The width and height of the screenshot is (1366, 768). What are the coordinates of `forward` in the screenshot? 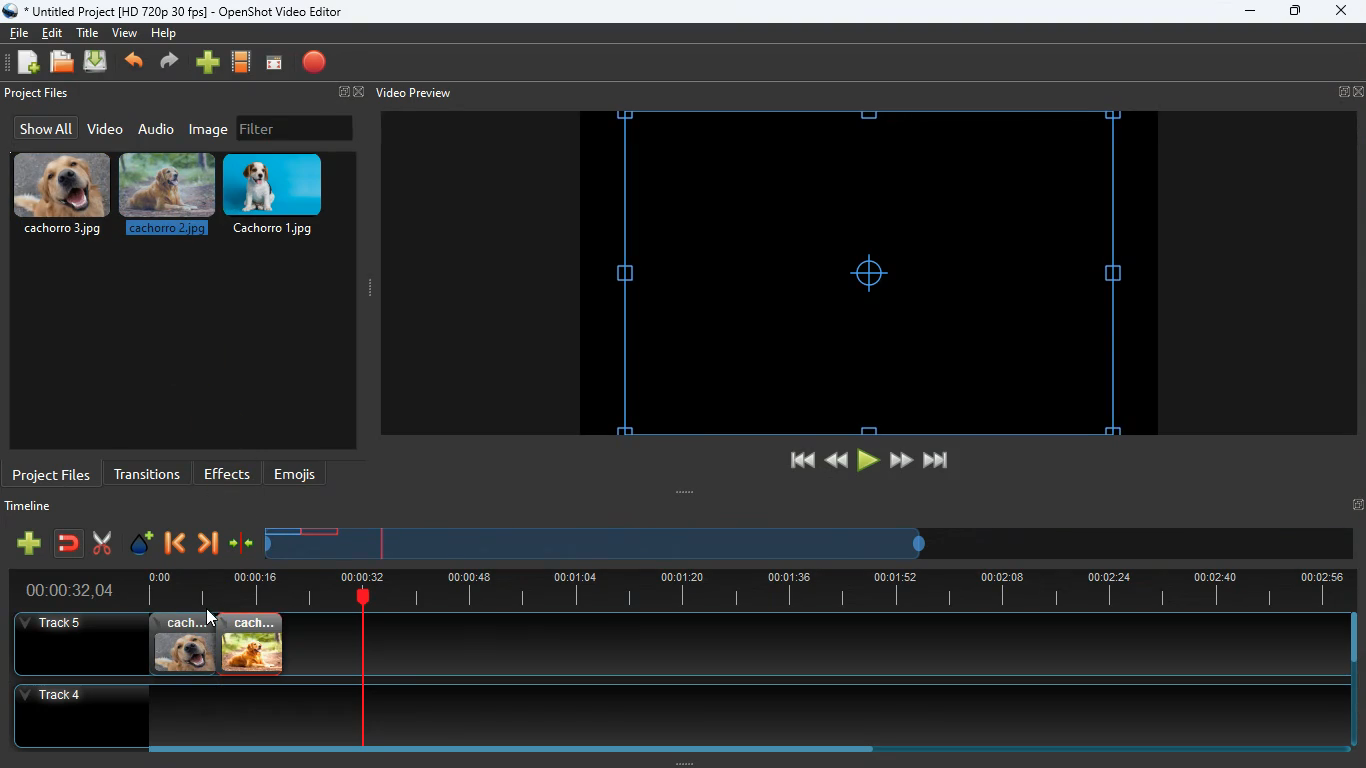 It's located at (172, 63).